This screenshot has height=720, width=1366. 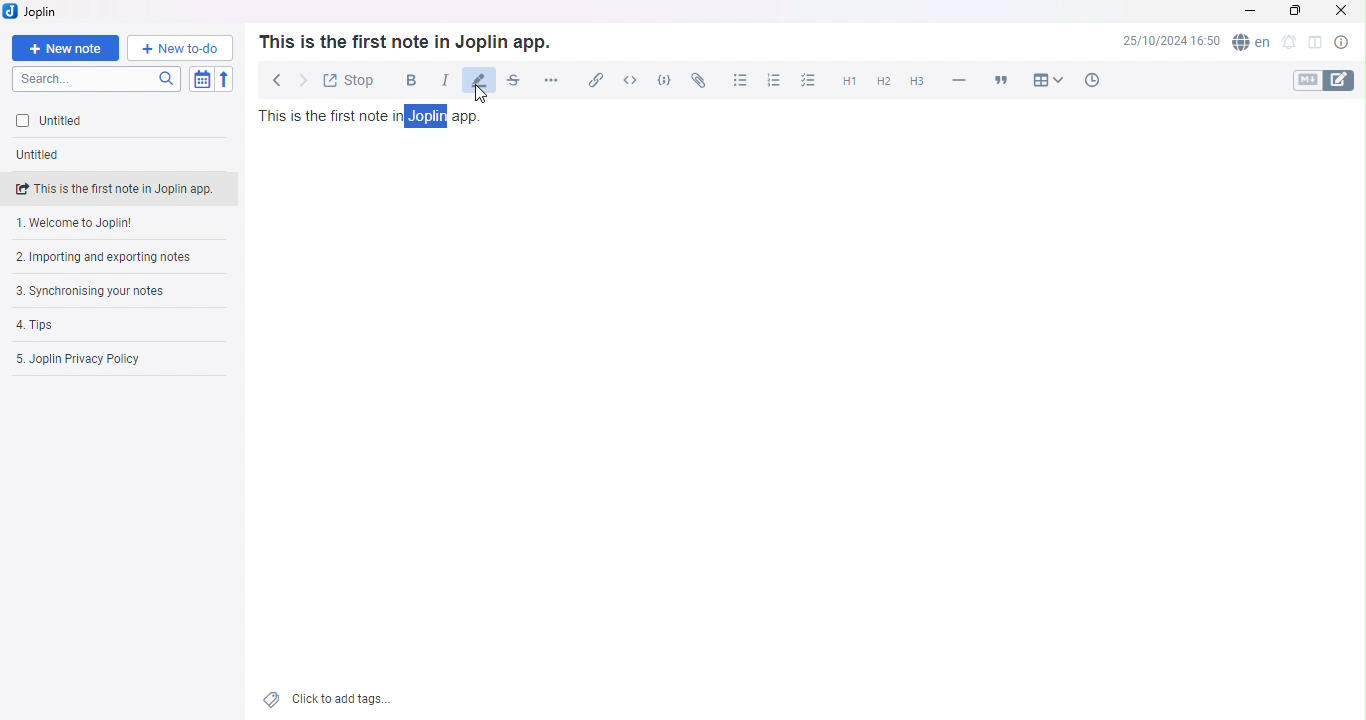 What do you see at coordinates (430, 116) in the screenshot?
I see `Highlighted text` at bounding box center [430, 116].